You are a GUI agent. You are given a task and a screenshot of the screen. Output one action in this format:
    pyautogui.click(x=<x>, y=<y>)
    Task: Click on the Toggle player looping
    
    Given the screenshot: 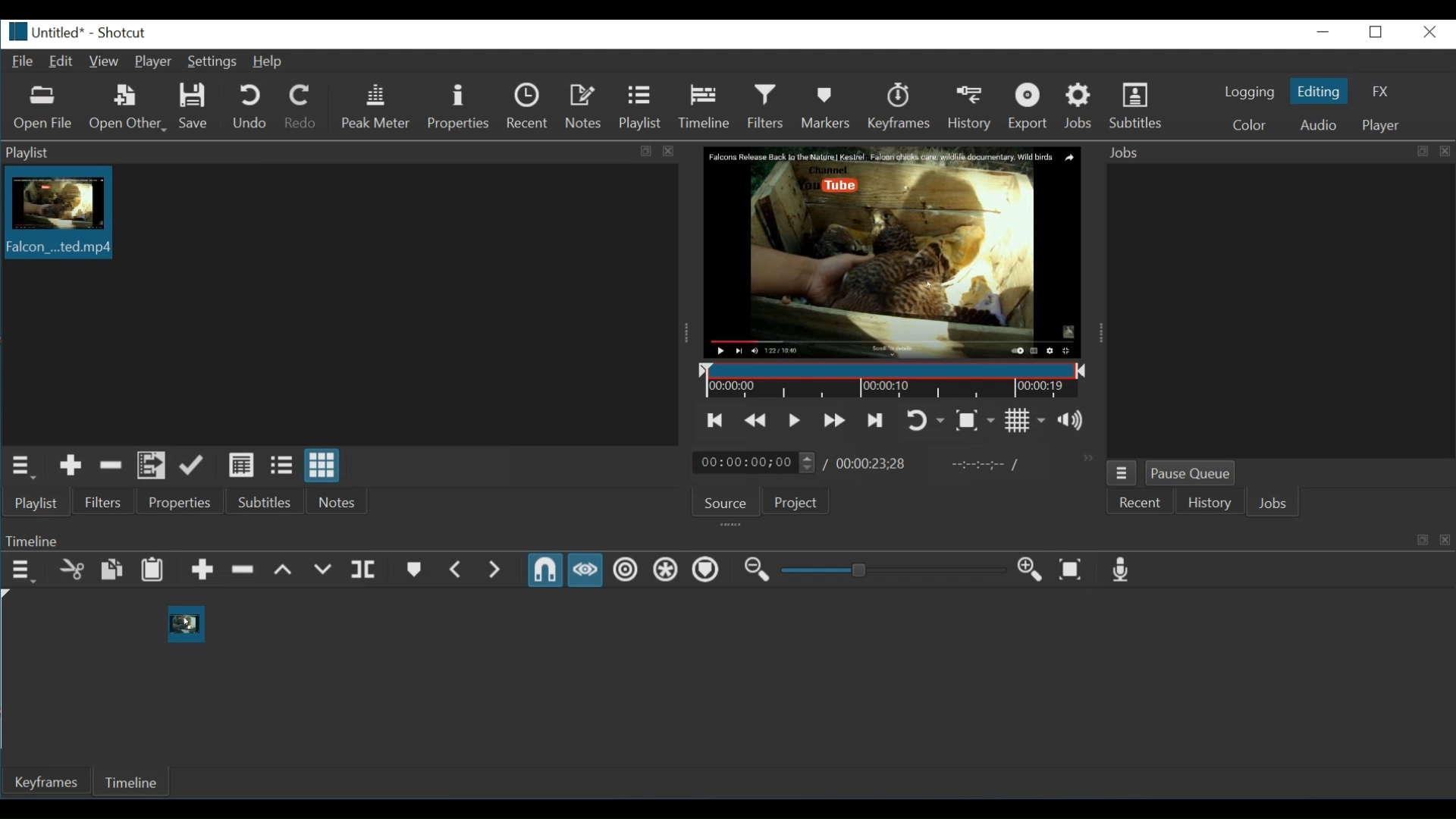 What is the action you would take?
    pyautogui.click(x=926, y=421)
    